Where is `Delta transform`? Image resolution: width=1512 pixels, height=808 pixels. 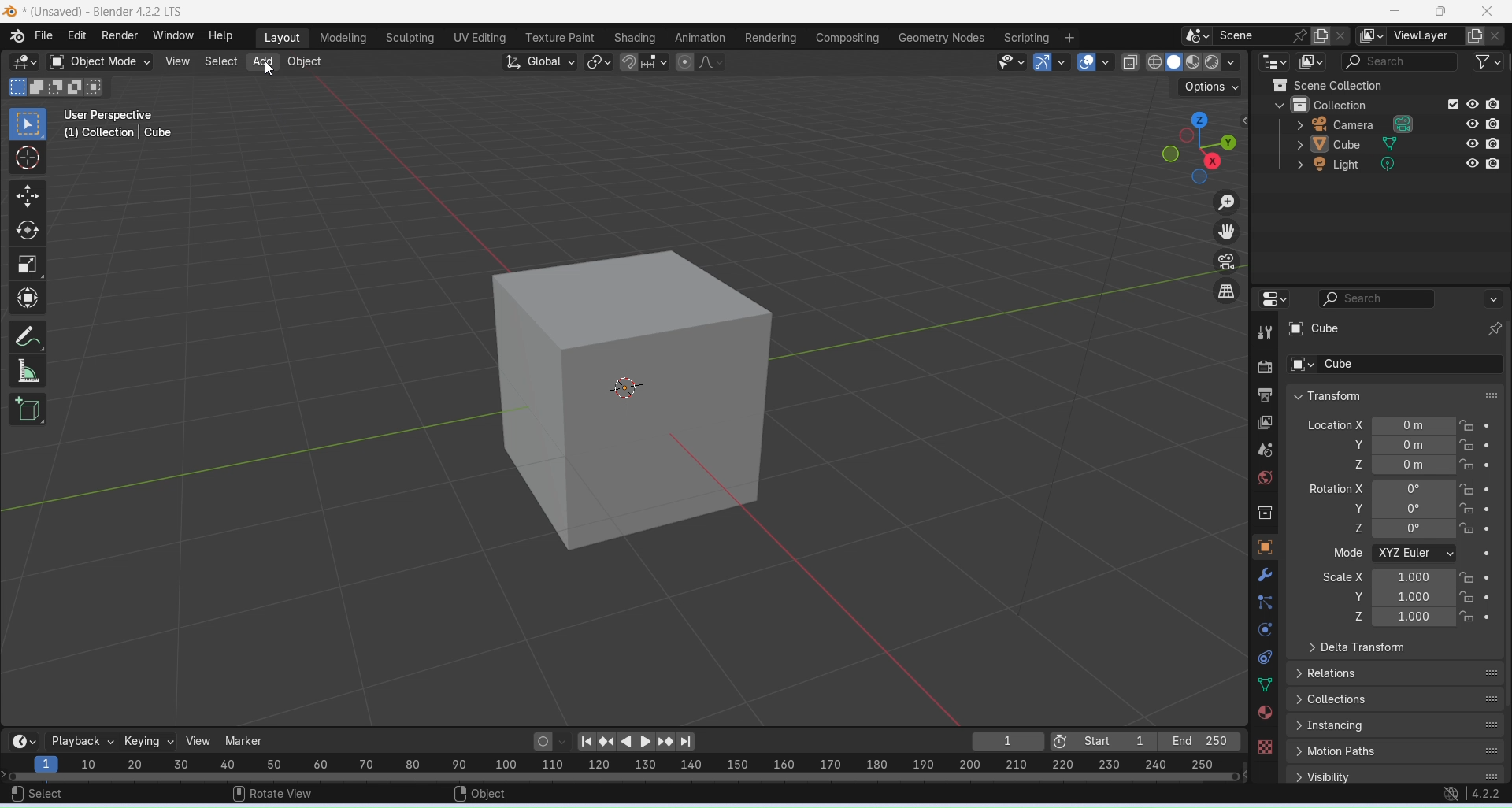
Delta transform is located at coordinates (1358, 648).